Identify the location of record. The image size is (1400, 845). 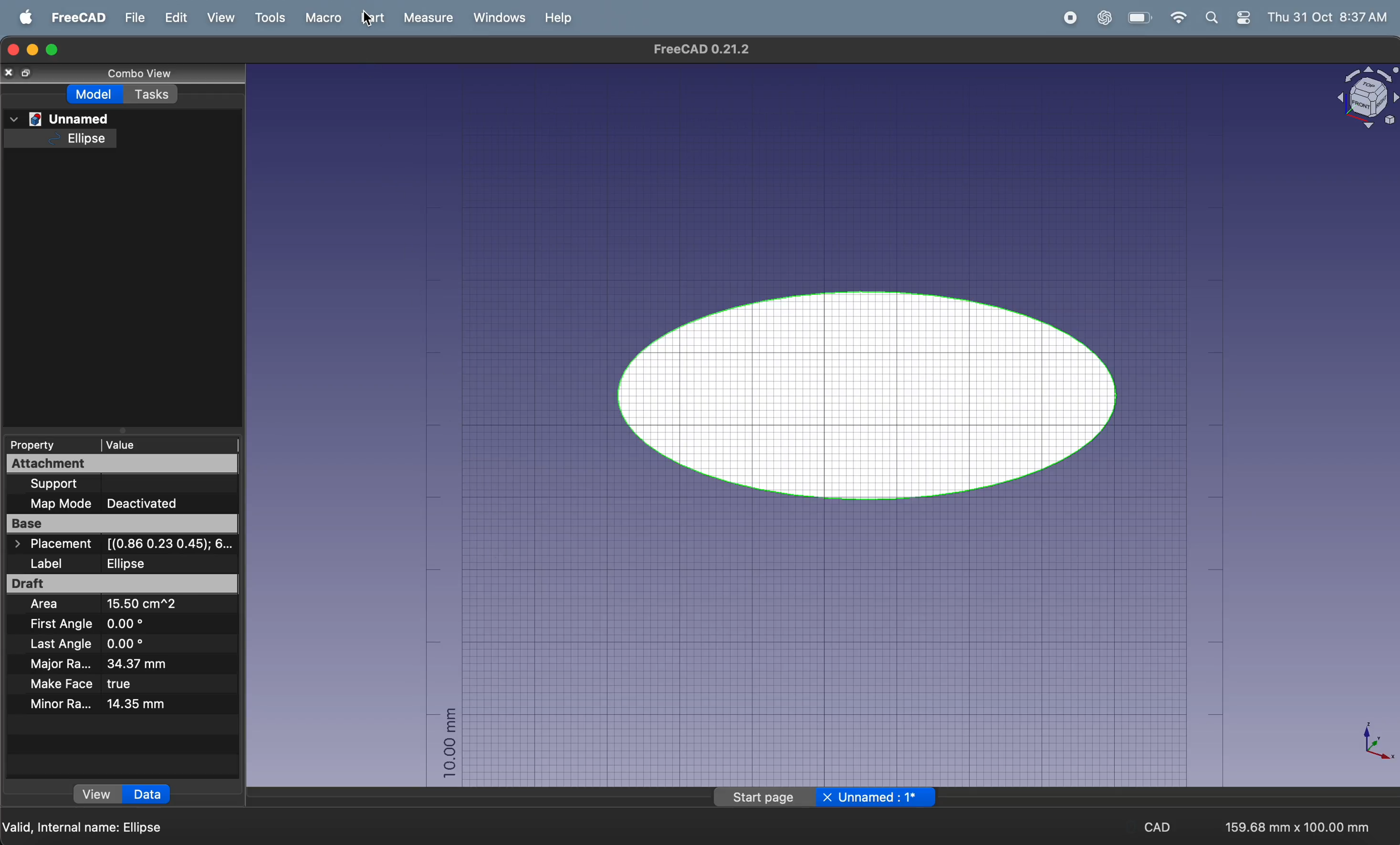
(1068, 19).